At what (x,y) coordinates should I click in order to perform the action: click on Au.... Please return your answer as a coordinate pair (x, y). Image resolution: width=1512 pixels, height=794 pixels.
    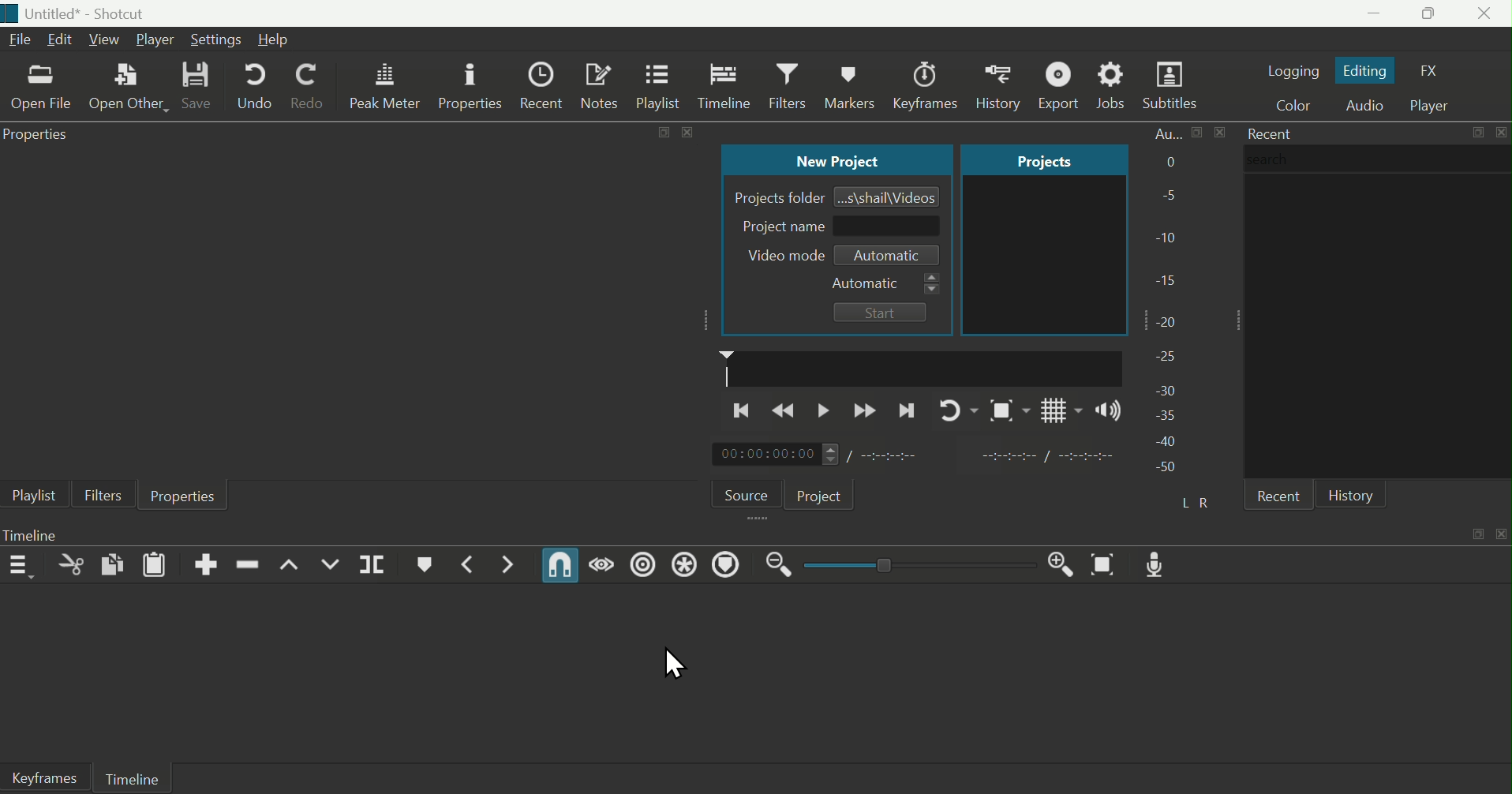
    Looking at the image, I should click on (1162, 133).